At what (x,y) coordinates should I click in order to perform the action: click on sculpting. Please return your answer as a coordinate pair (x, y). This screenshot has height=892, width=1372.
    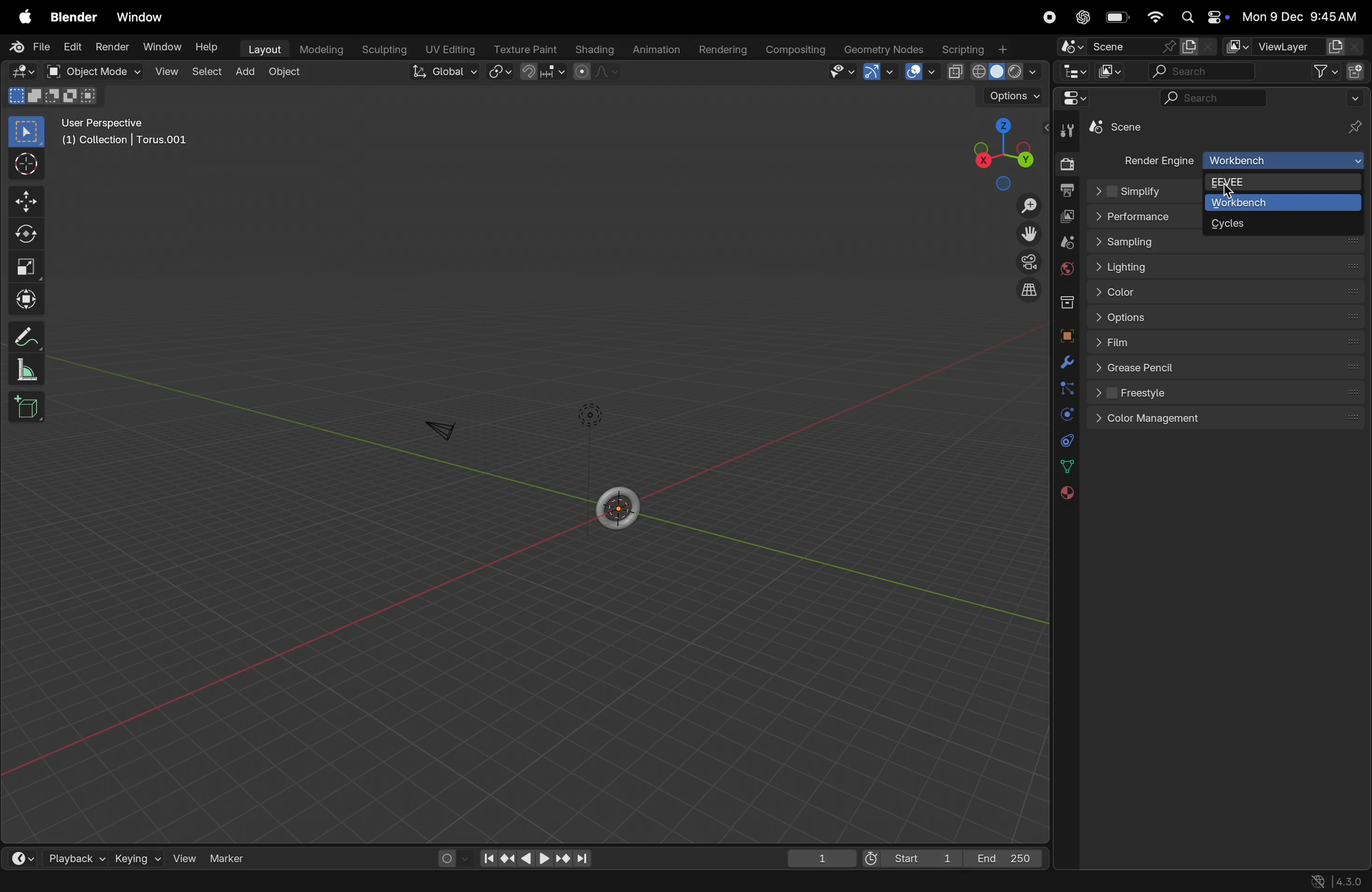
    Looking at the image, I should click on (382, 47).